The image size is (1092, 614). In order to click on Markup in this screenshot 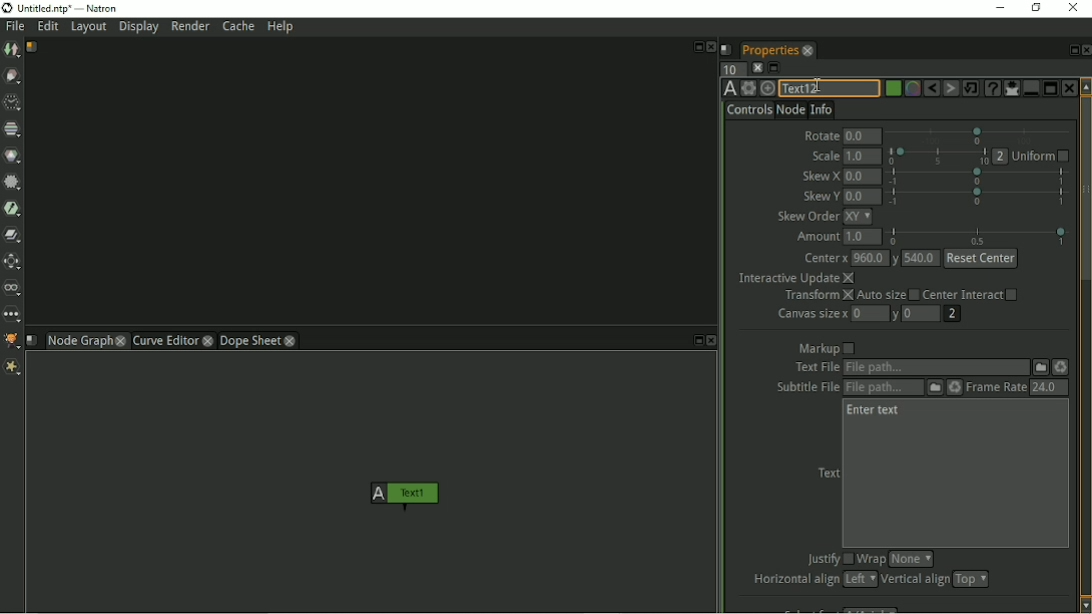, I will do `click(827, 348)`.